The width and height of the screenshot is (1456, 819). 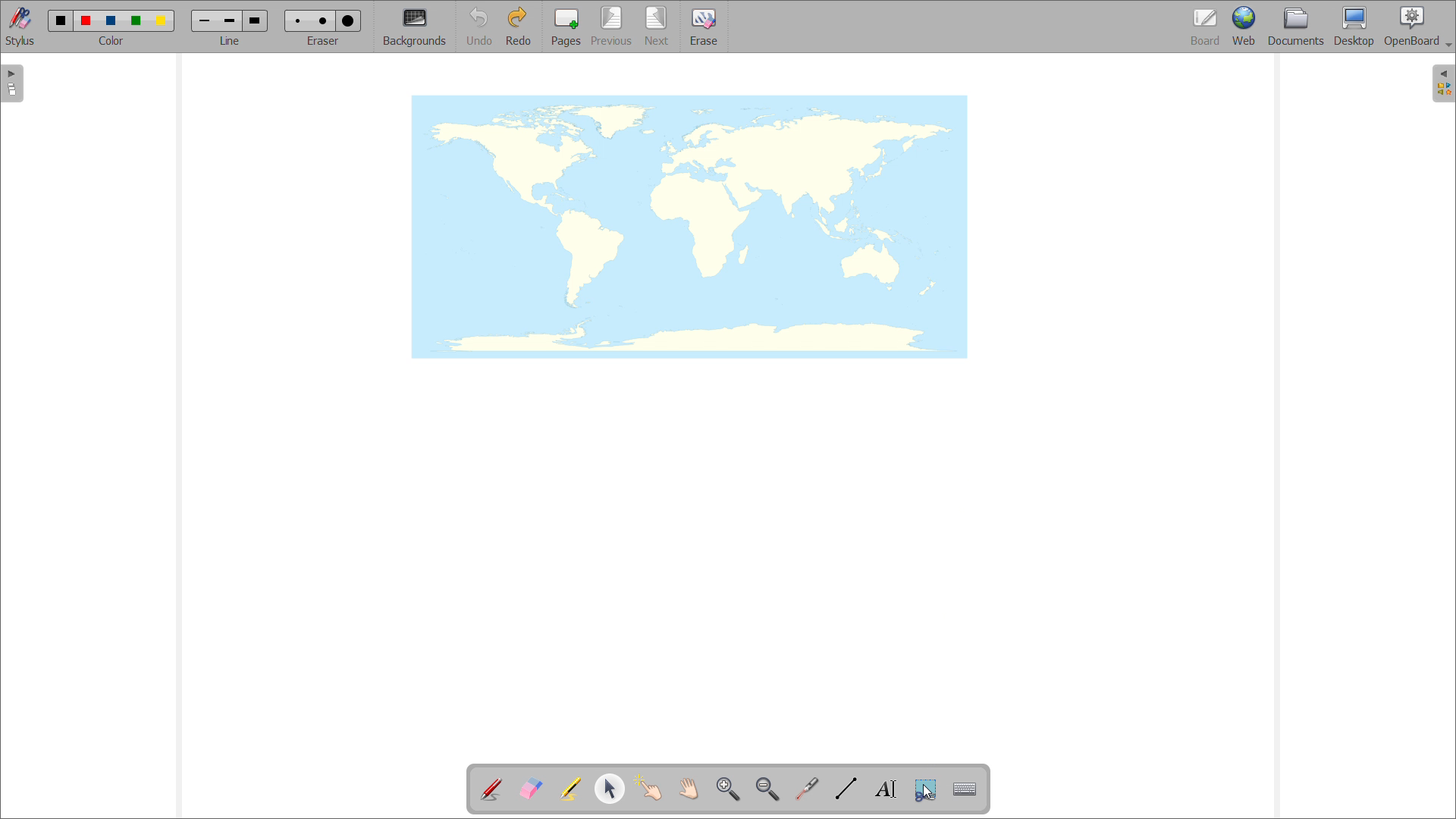 I want to click on toggle stylus, so click(x=22, y=27).